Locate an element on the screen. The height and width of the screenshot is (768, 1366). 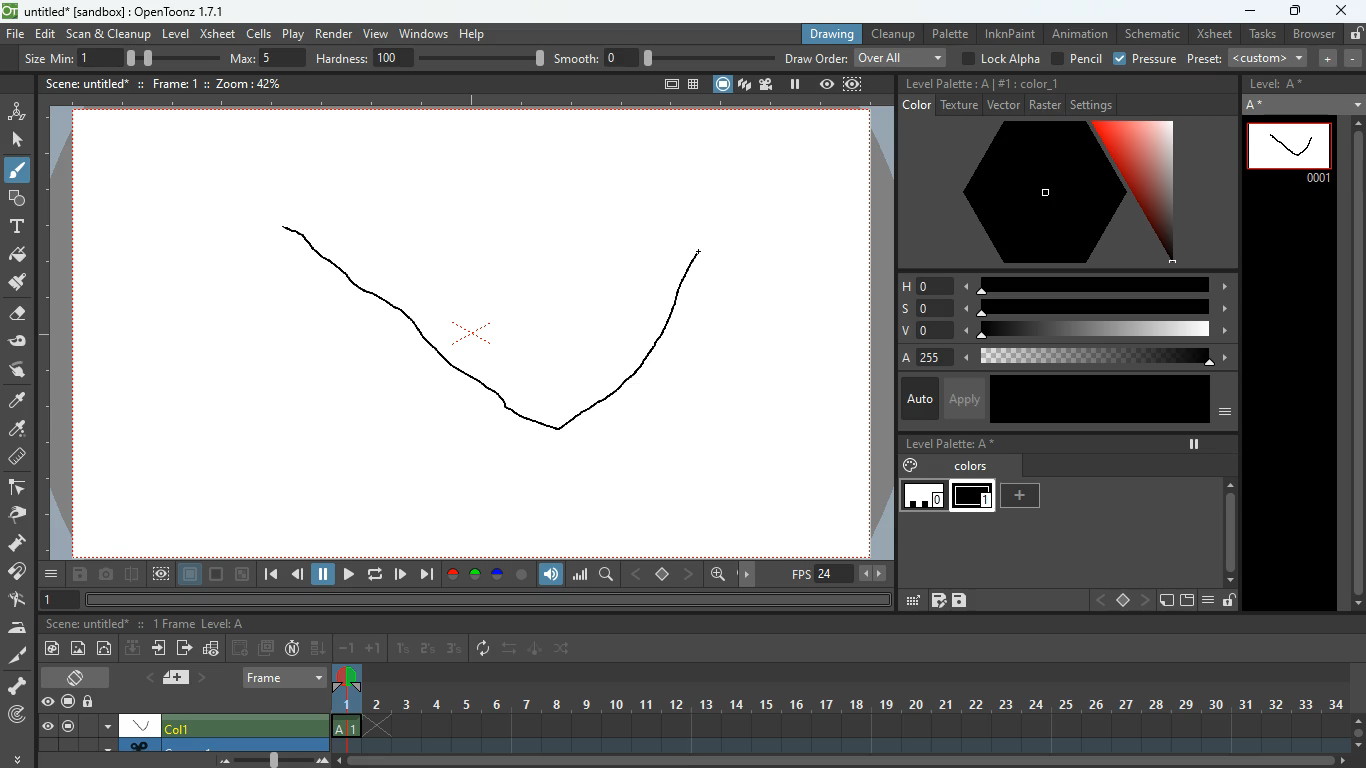
play is located at coordinates (295, 33).